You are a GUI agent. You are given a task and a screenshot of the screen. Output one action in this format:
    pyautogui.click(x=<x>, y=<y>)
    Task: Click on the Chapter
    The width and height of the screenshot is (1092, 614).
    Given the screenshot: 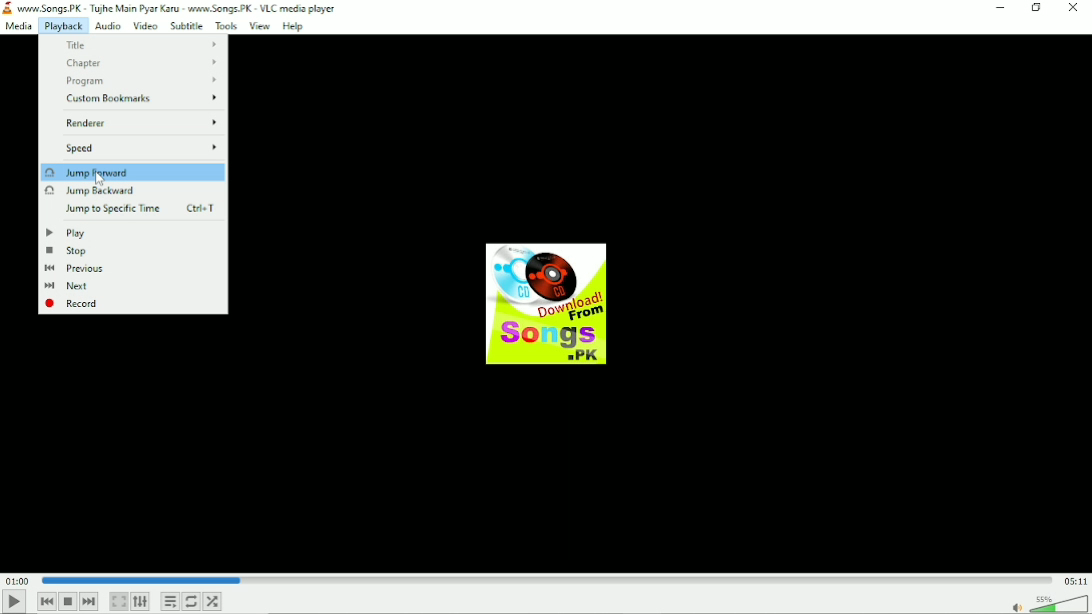 What is the action you would take?
    pyautogui.click(x=141, y=64)
    